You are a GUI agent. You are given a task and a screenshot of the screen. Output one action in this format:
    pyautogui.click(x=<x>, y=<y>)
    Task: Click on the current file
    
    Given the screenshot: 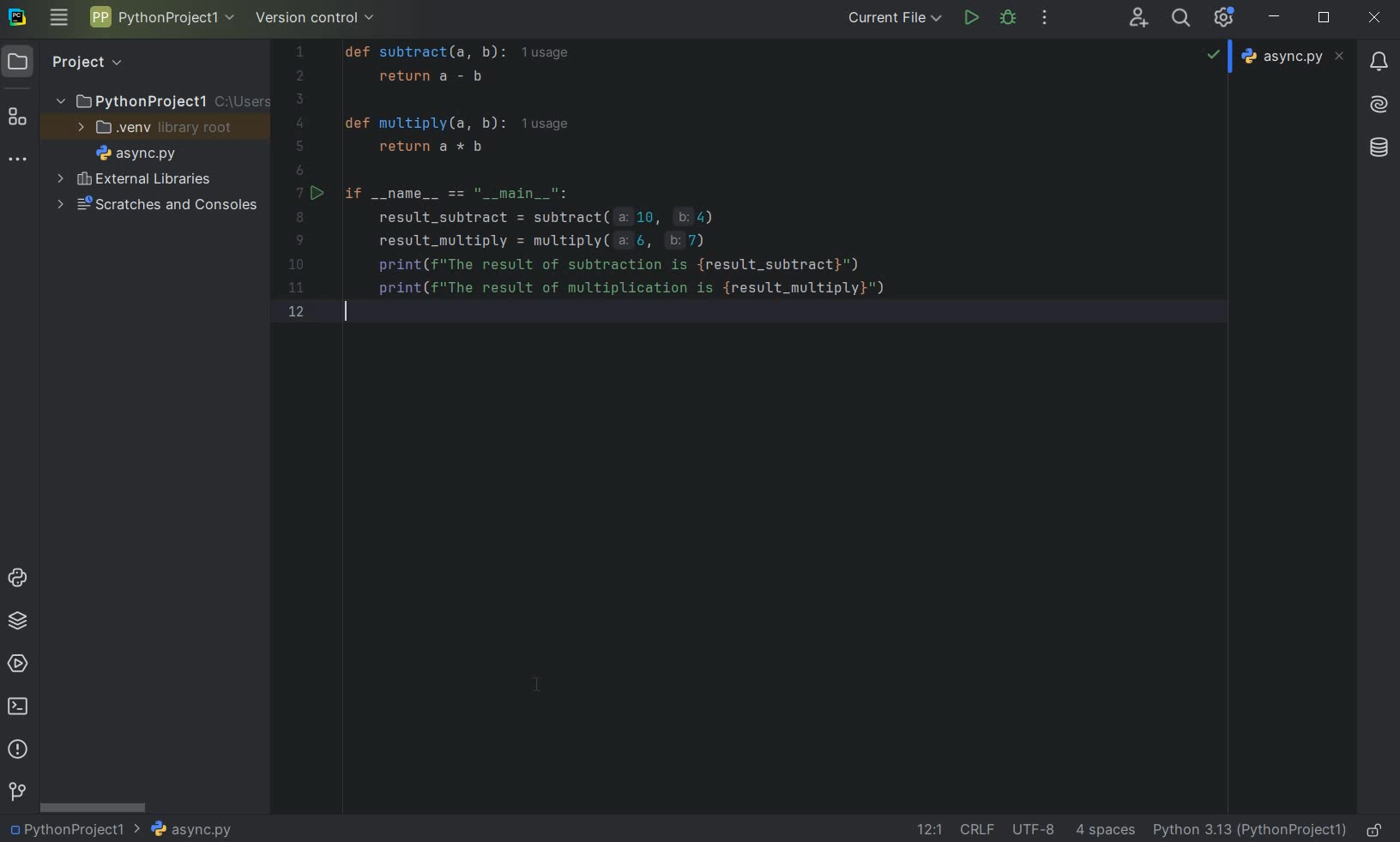 What is the action you would take?
    pyautogui.click(x=895, y=19)
    